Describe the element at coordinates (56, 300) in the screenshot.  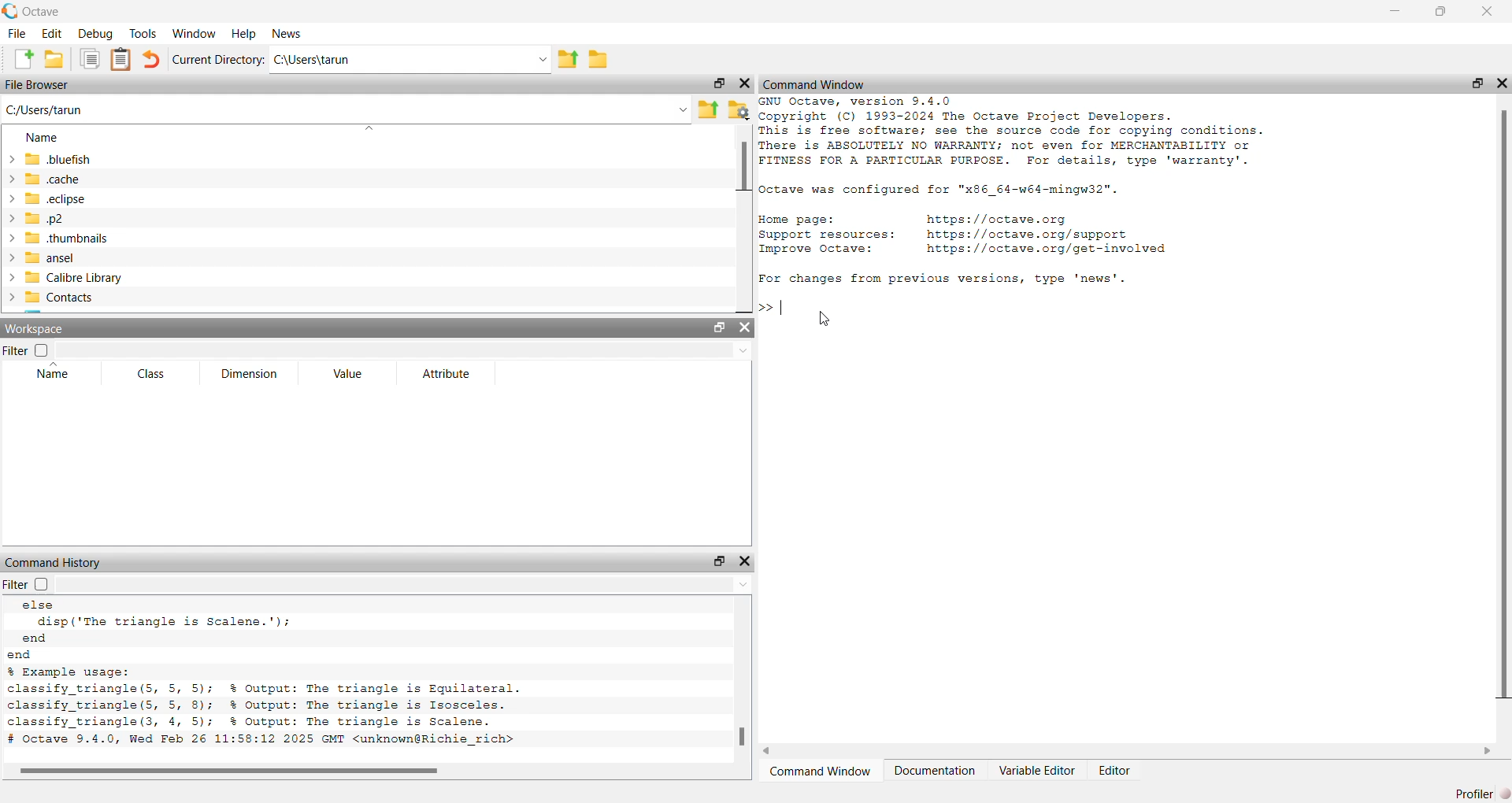
I see `contacts` at that location.